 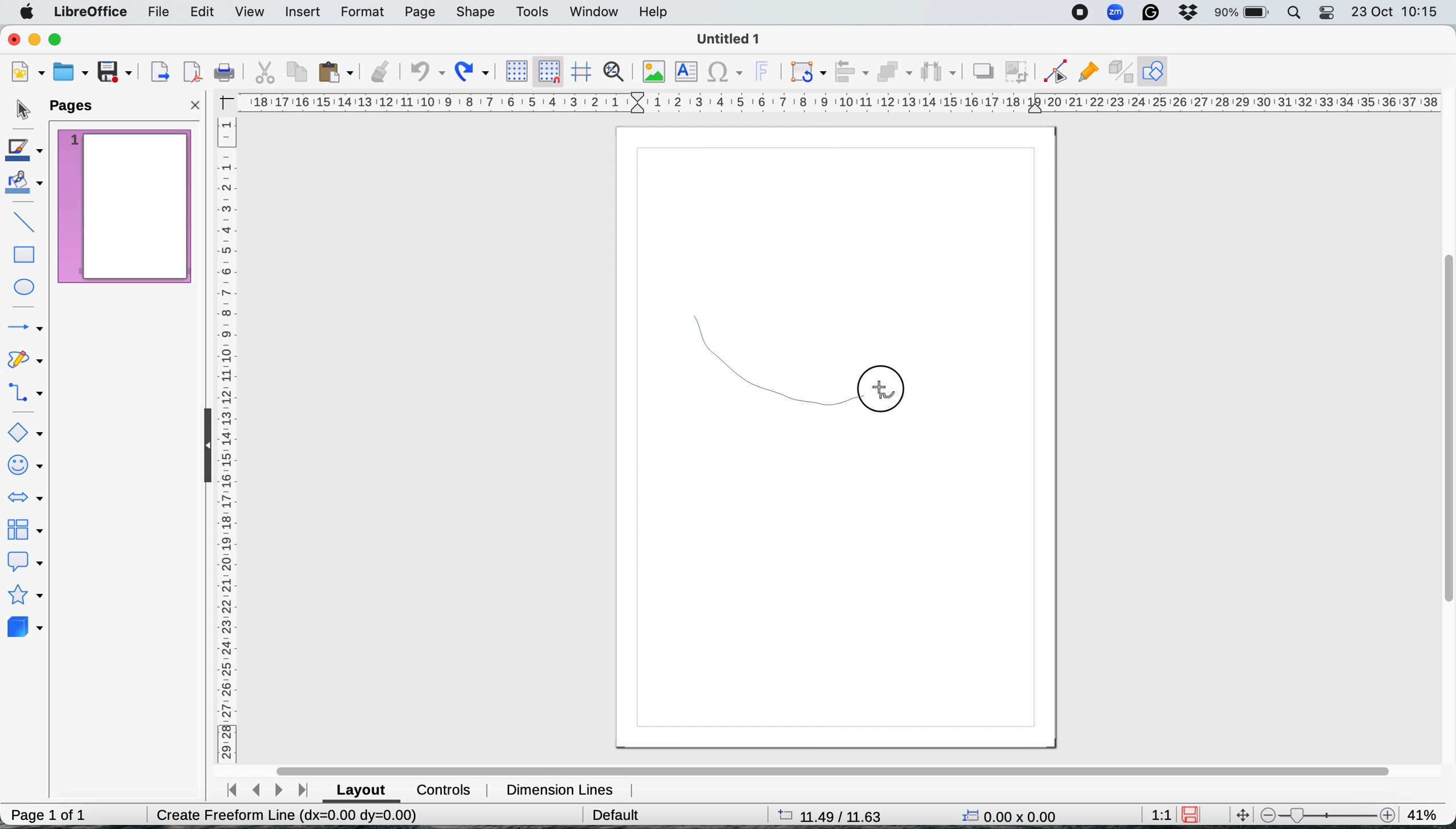 What do you see at coordinates (298, 72) in the screenshot?
I see `copy` at bounding box center [298, 72].